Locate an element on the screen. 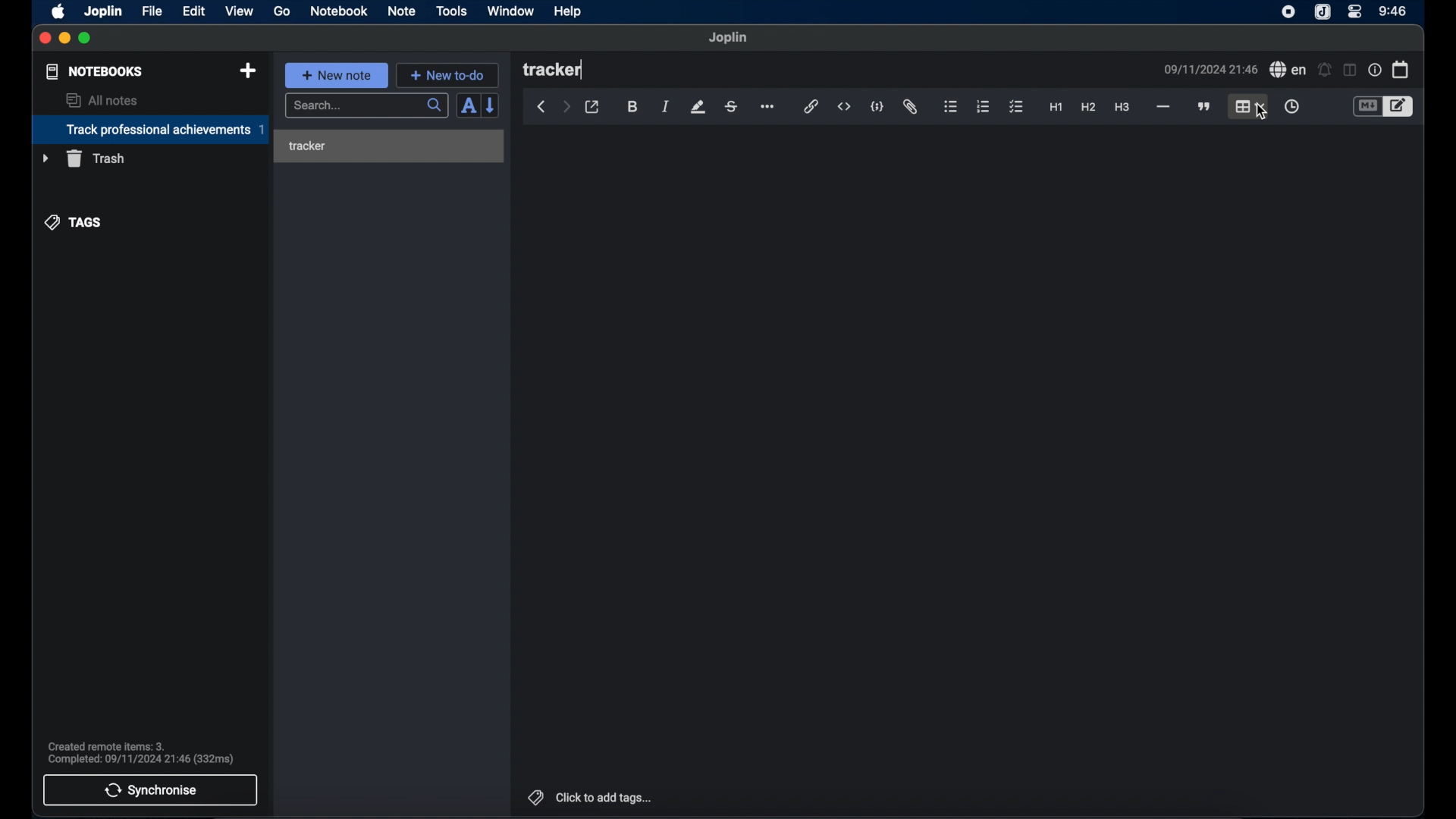  tags is located at coordinates (74, 221).